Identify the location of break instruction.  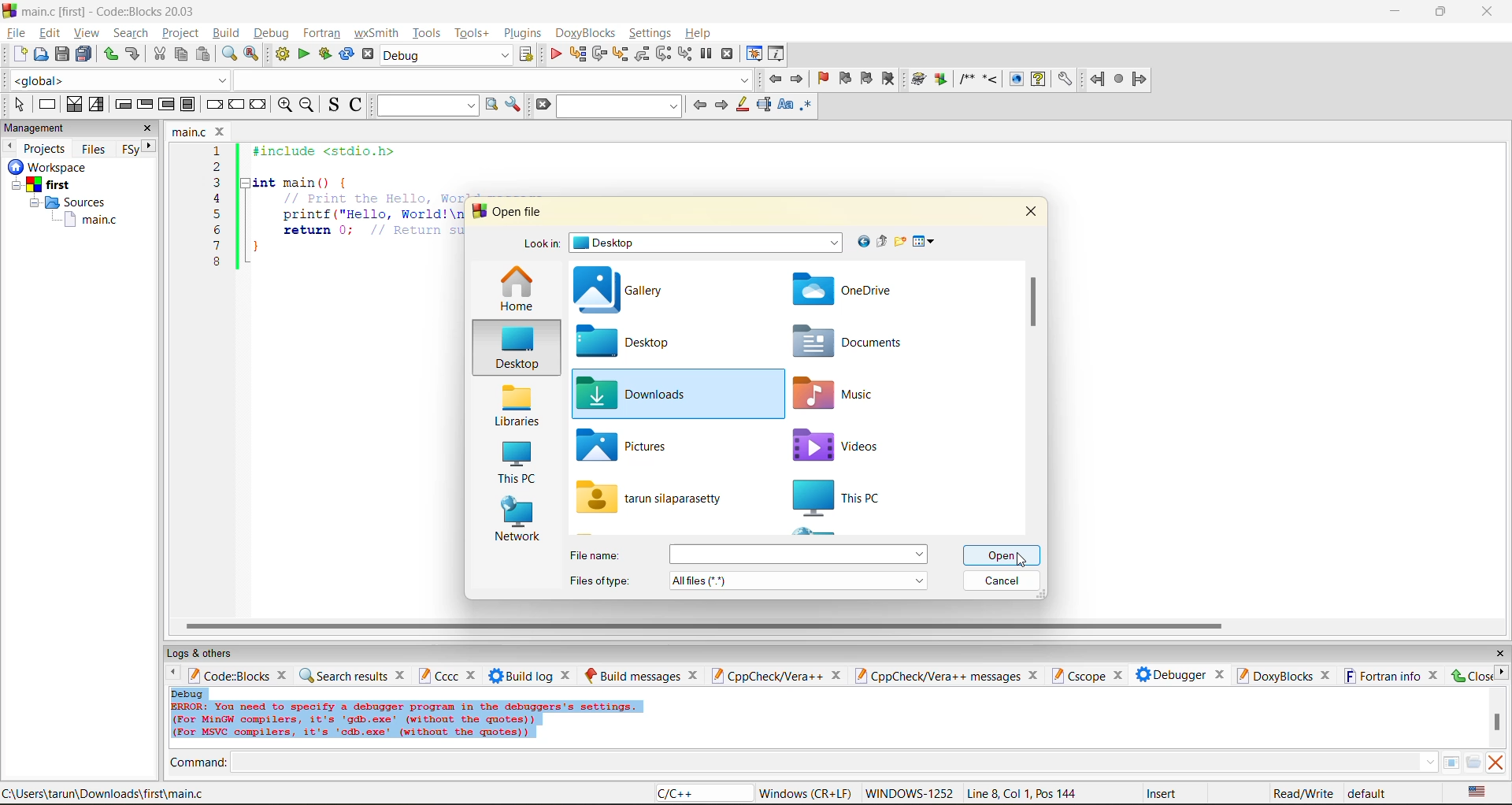
(212, 104).